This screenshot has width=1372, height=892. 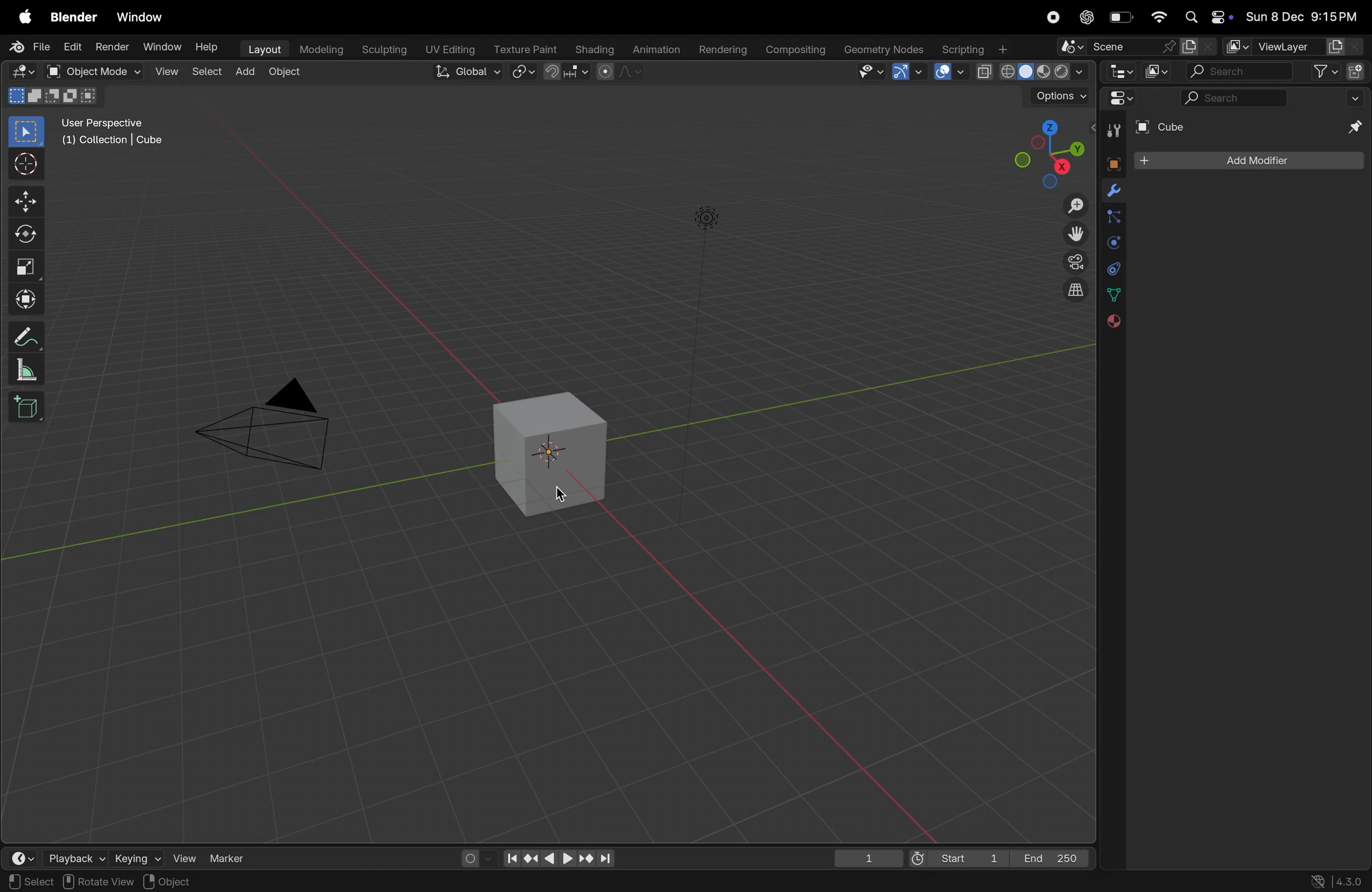 I want to click on Gemmerty nodes, so click(x=883, y=50).